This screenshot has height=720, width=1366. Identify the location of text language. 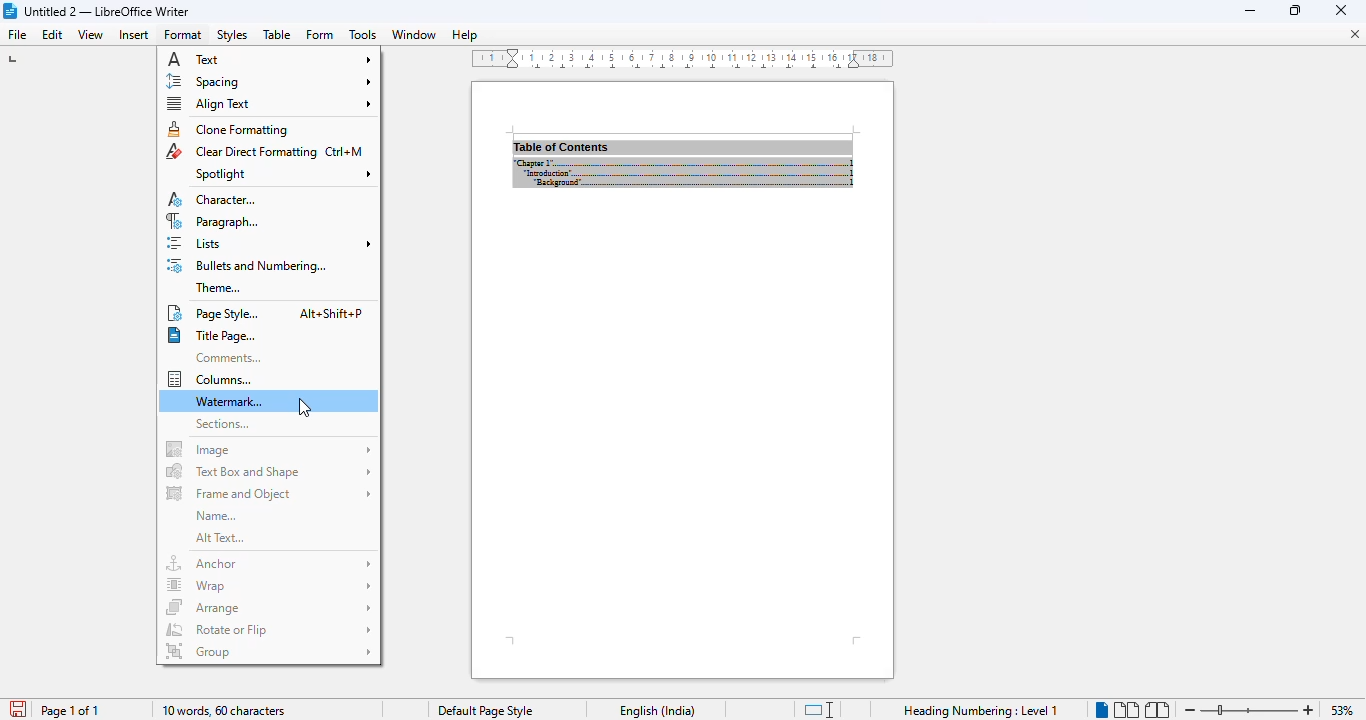
(659, 710).